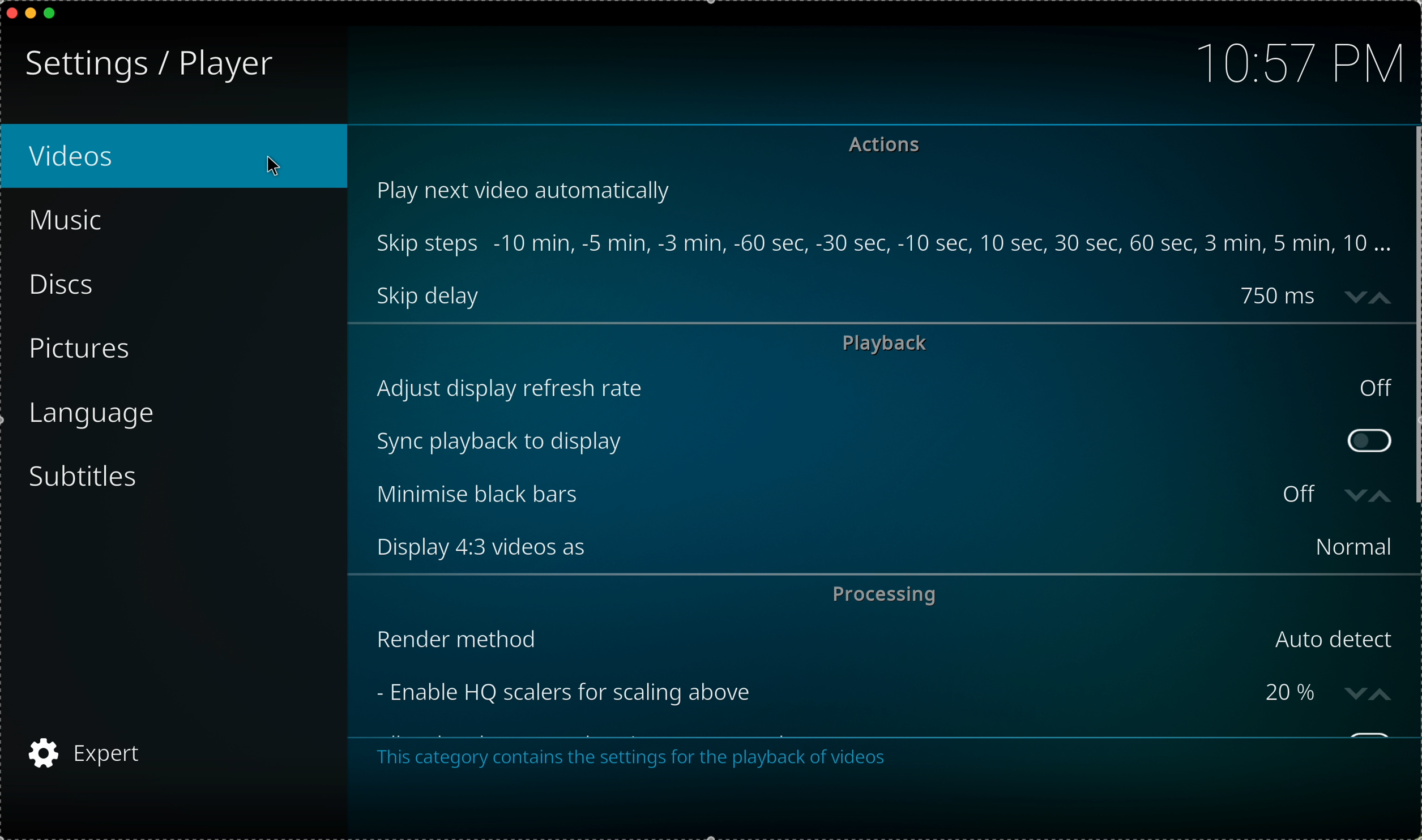 This screenshot has width=1422, height=840. Describe the element at coordinates (853, 441) in the screenshot. I see `sync playback to display` at that location.